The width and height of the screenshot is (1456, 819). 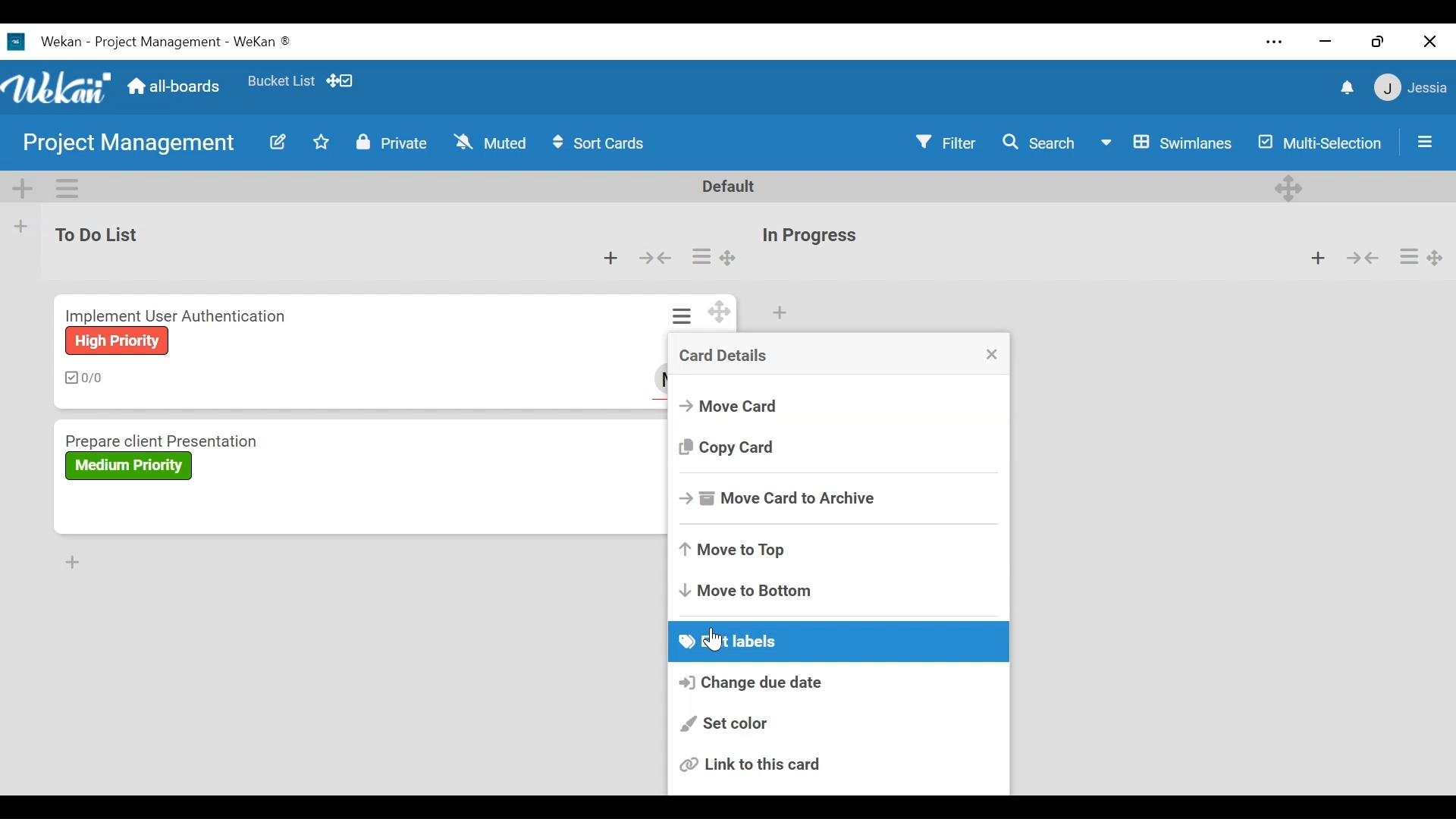 I want to click on List Name, so click(x=808, y=236).